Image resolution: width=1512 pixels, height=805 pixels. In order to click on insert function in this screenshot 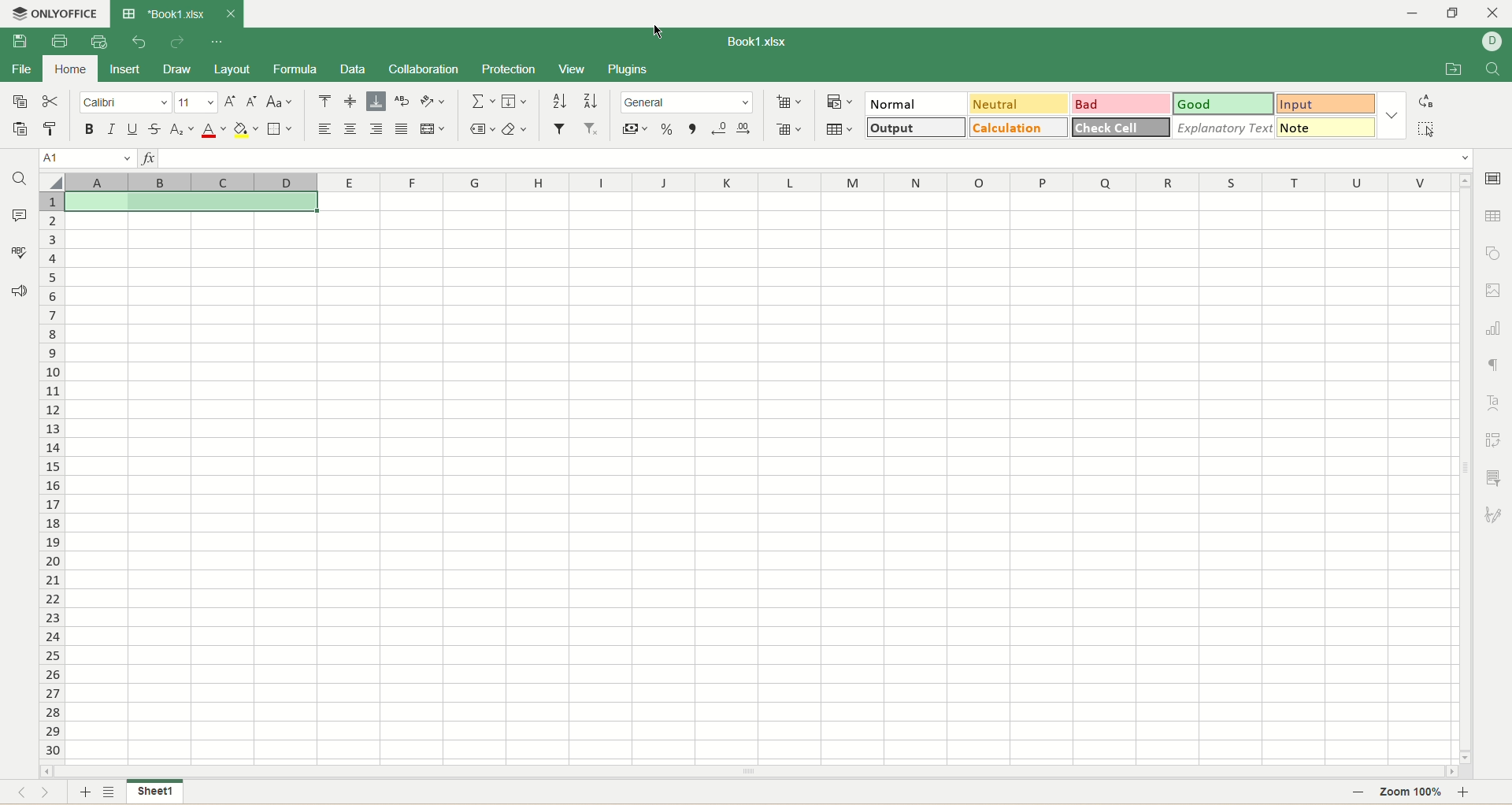, I will do `click(148, 158)`.